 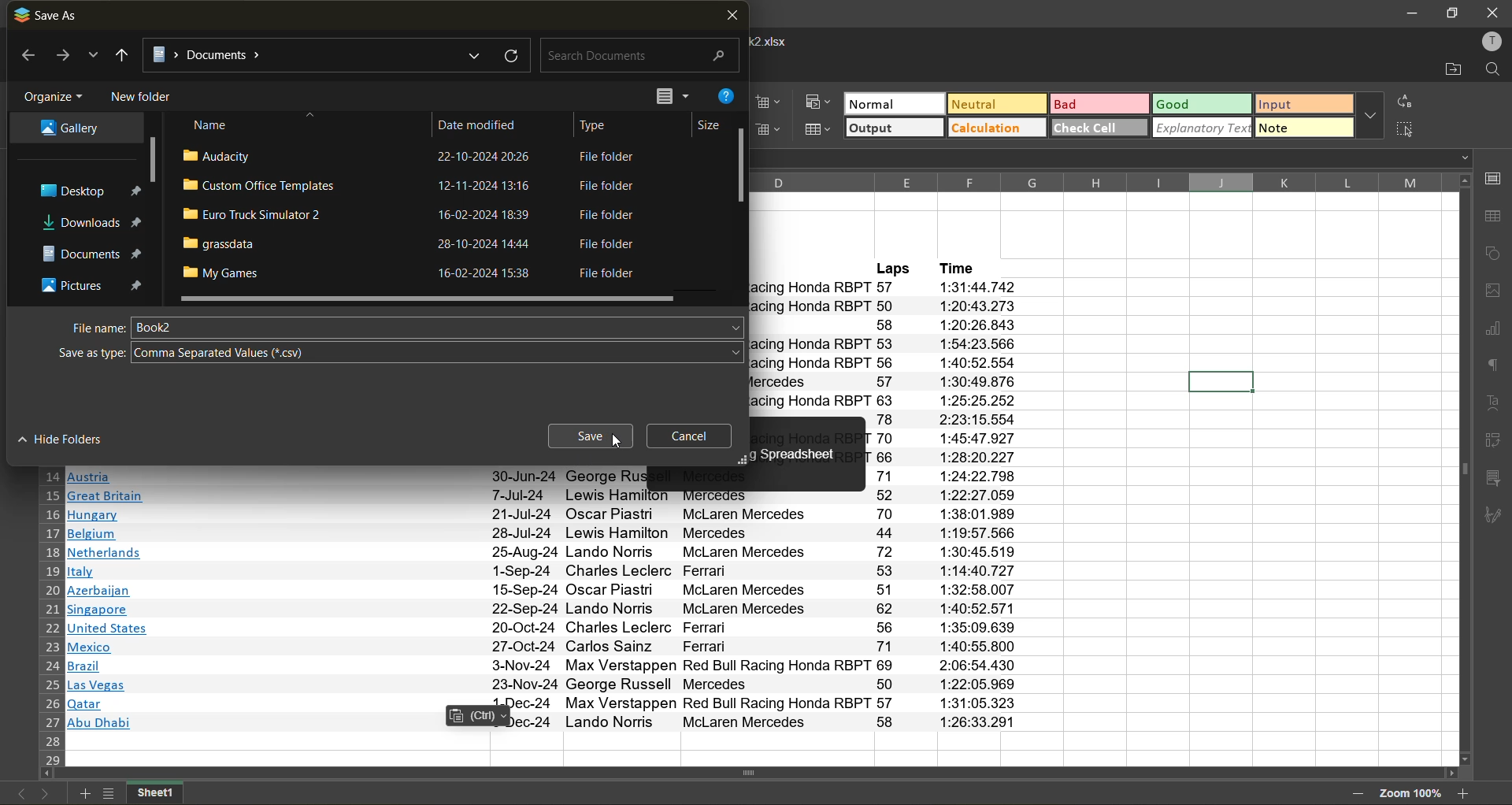 What do you see at coordinates (427, 299) in the screenshot?
I see `horizontal scroll bar` at bounding box center [427, 299].